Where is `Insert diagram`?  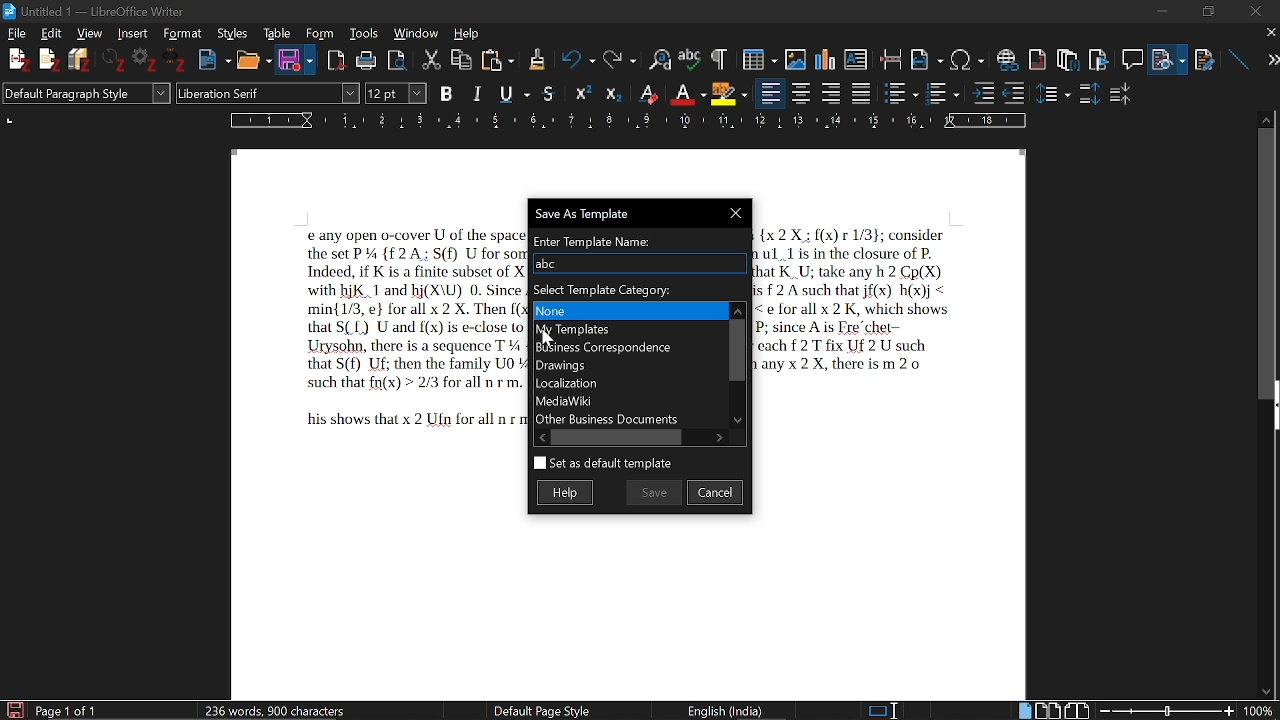
Insert diagram is located at coordinates (825, 56).